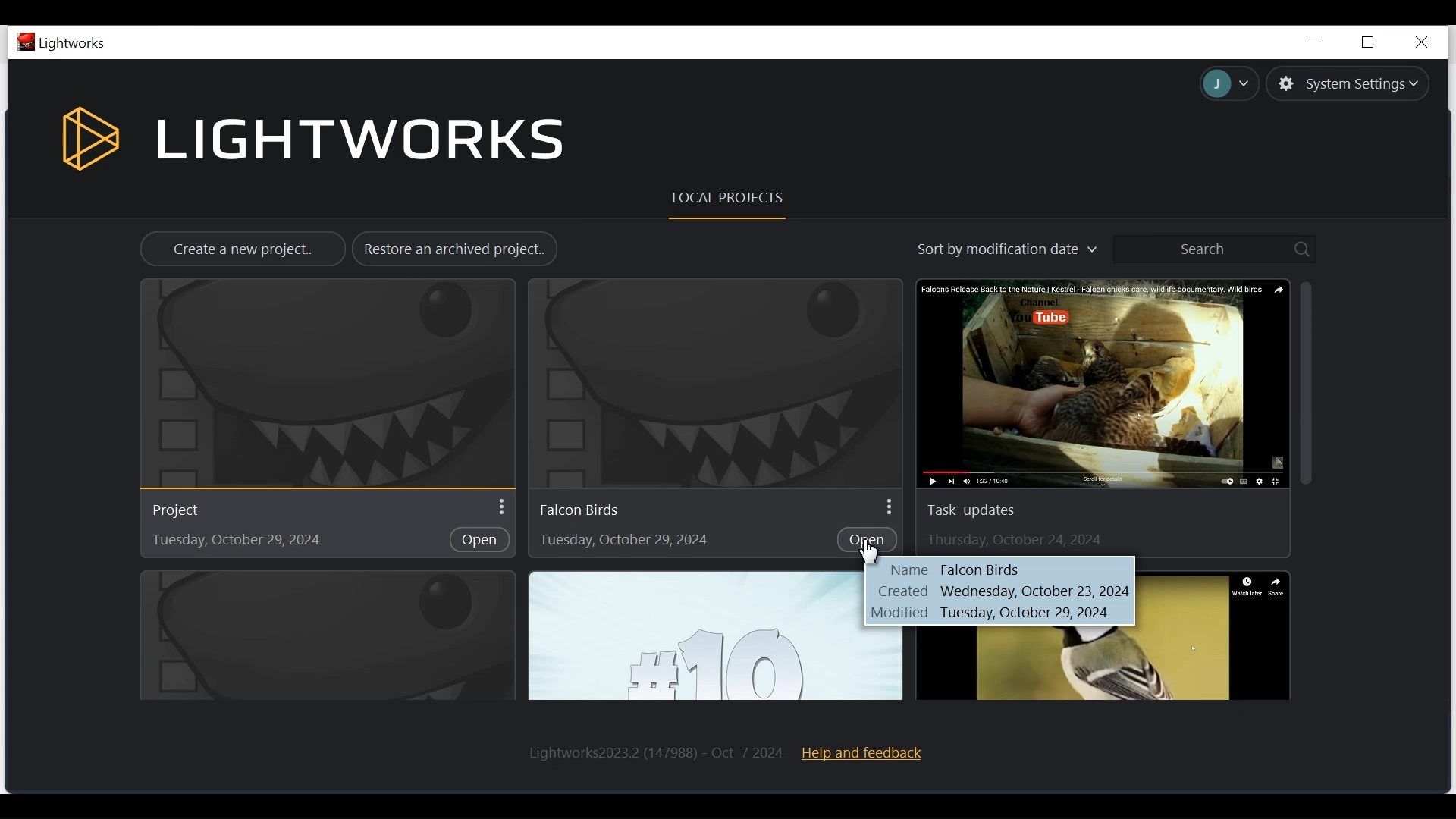 Image resolution: width=1456 pixels, height=819 pixels. I want to click on Cursor, so click(868, 551).